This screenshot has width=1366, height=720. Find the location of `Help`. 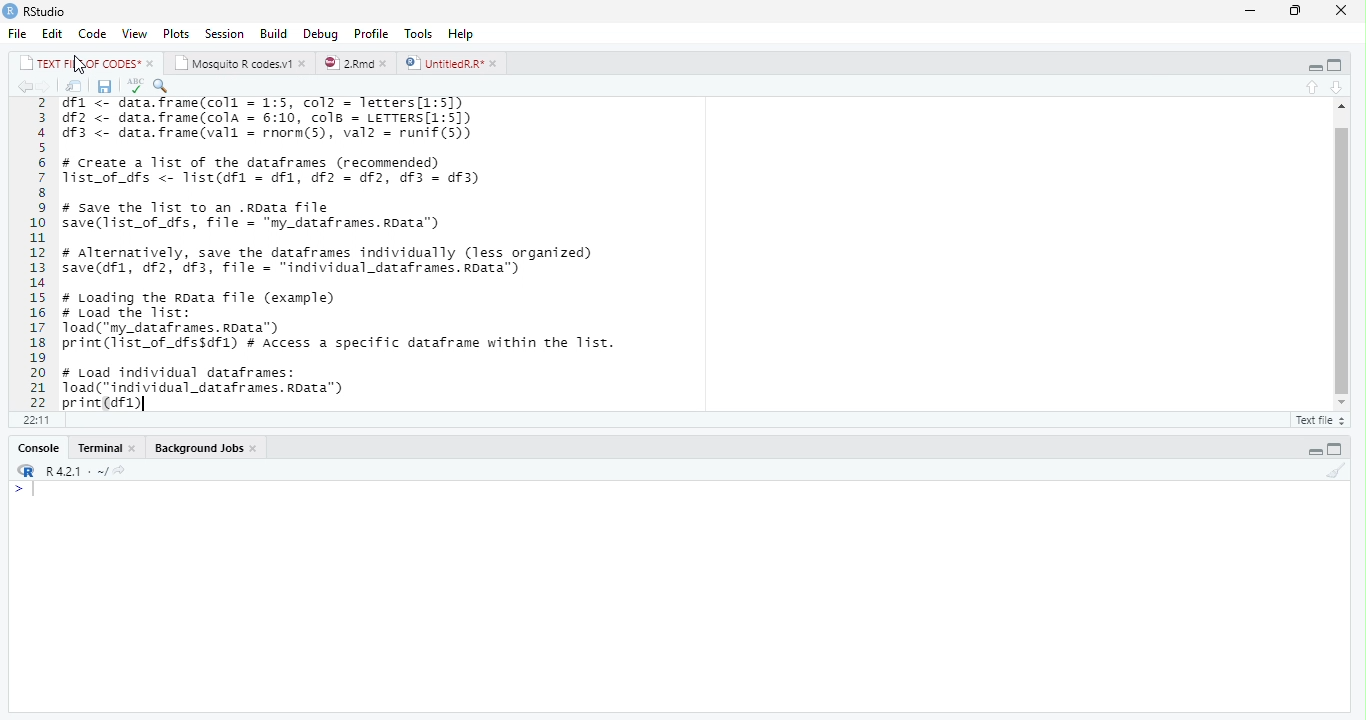

Help is located at coordinates (462, 34).